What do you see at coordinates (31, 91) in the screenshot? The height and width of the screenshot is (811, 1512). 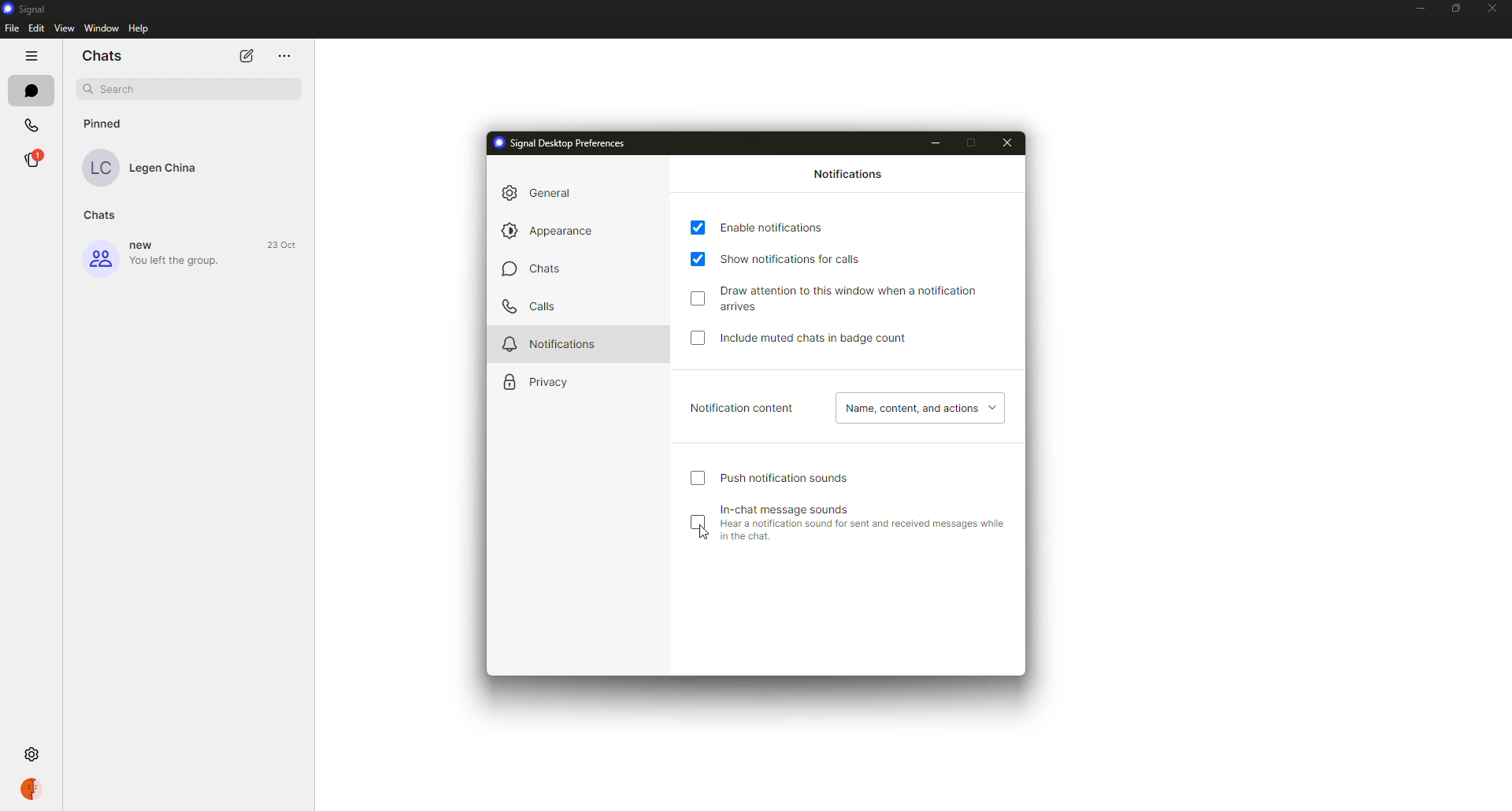 I see `chats` at bounding box center [31, 91].